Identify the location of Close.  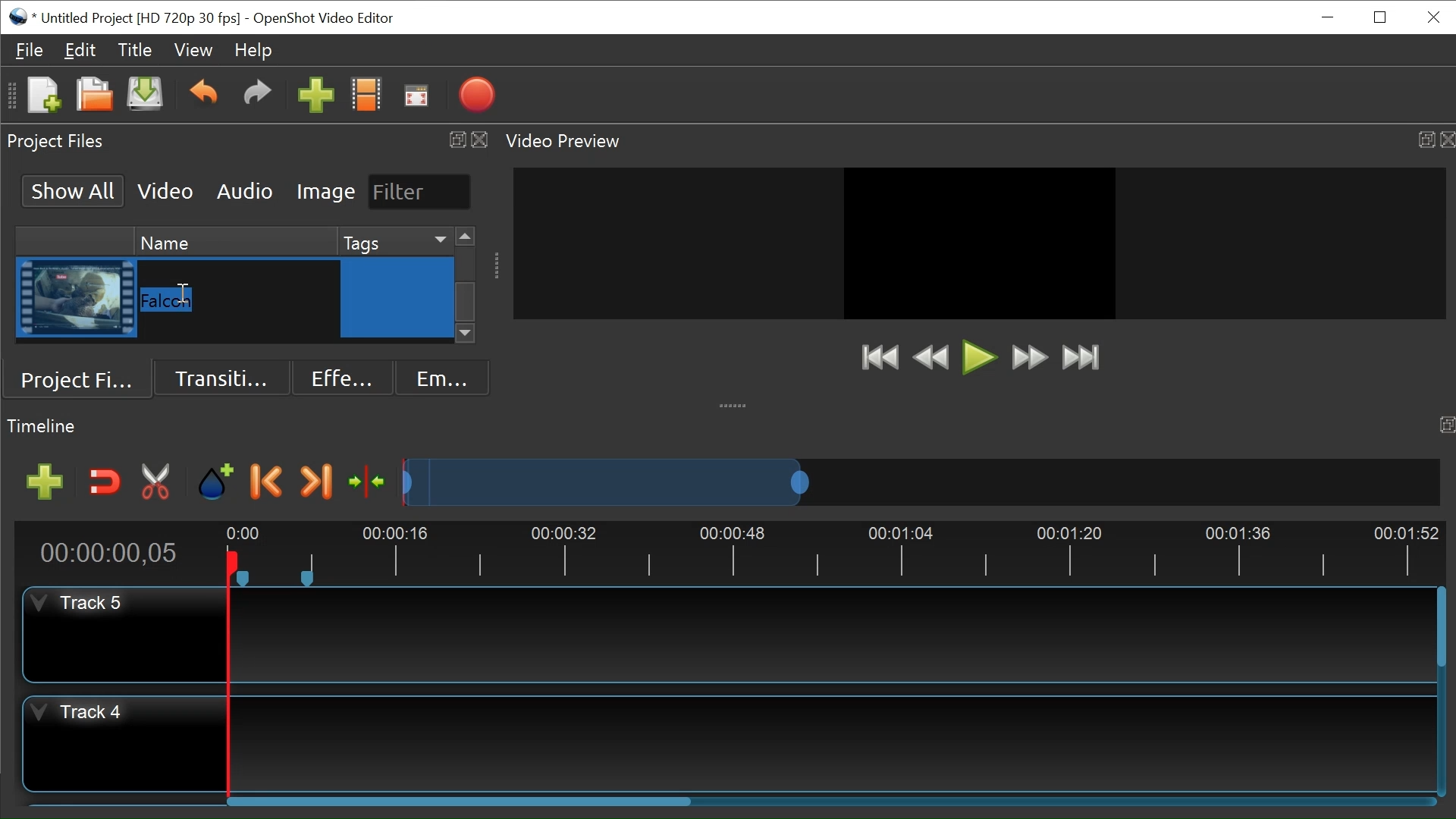
(1432, 16).